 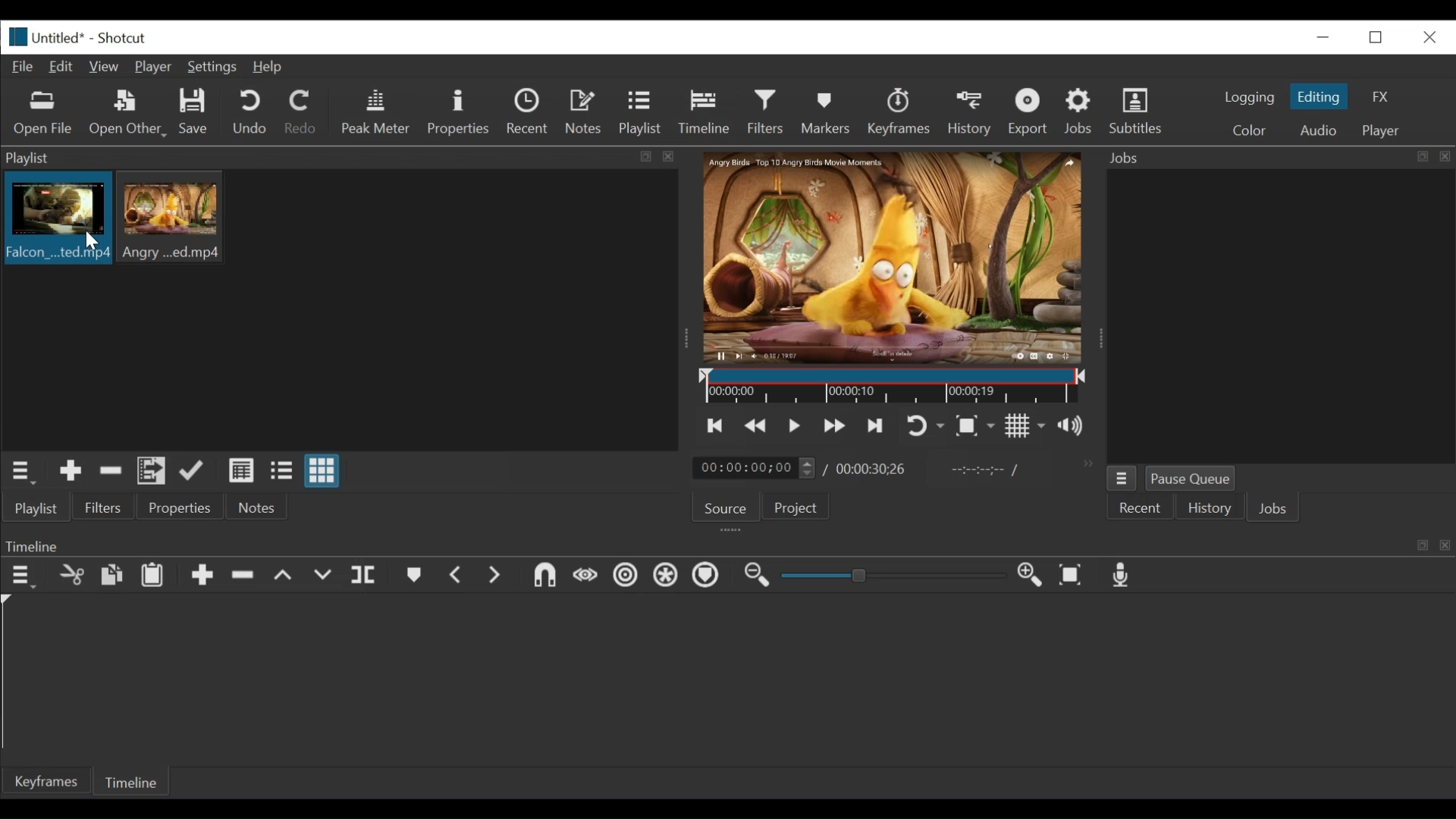 I want to click on Add the source to the playlist, so click(x=69, y=473).